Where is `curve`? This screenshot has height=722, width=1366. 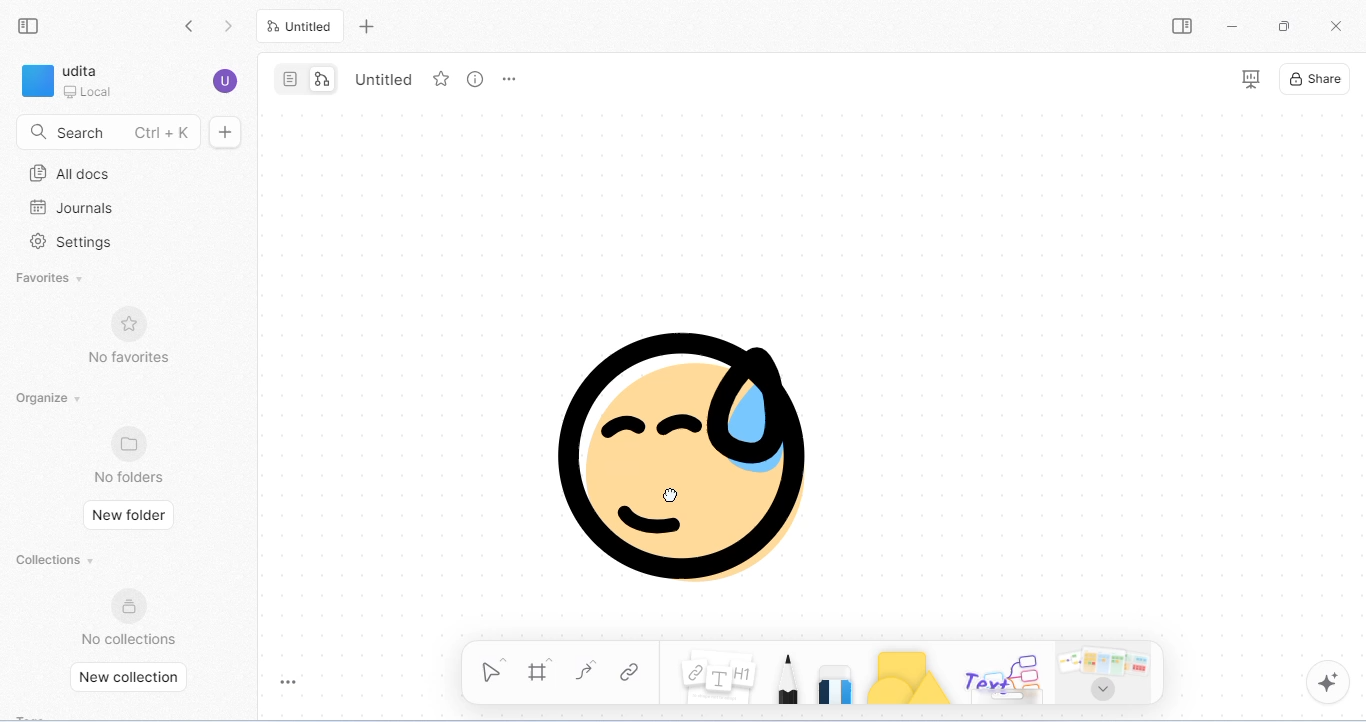 curve is located at coordinates (589, 671).